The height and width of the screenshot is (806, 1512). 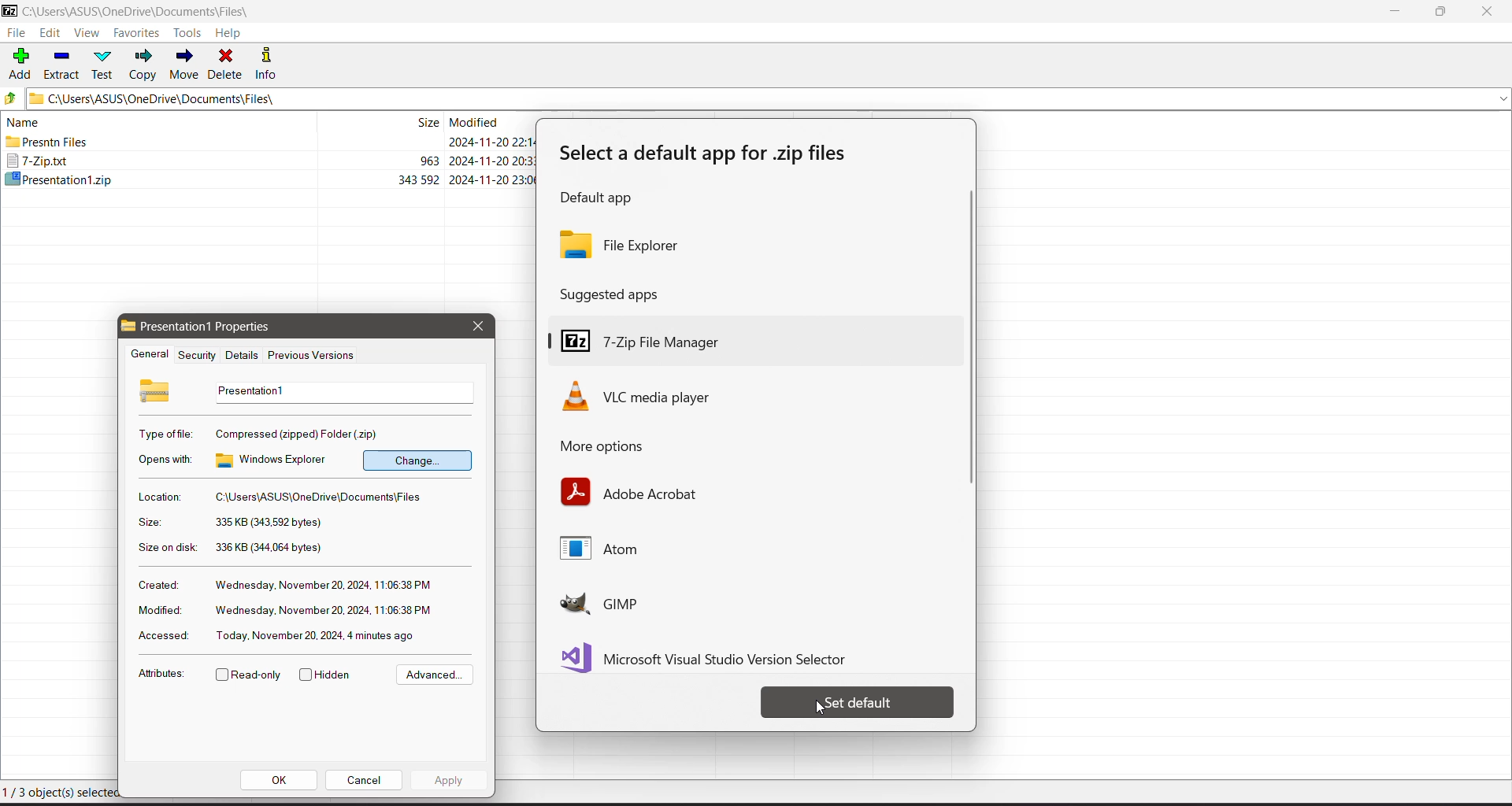 What do you see at coordinates (157, 584) in the screenshot?
I see `Created` at bounding box center [157, 584].